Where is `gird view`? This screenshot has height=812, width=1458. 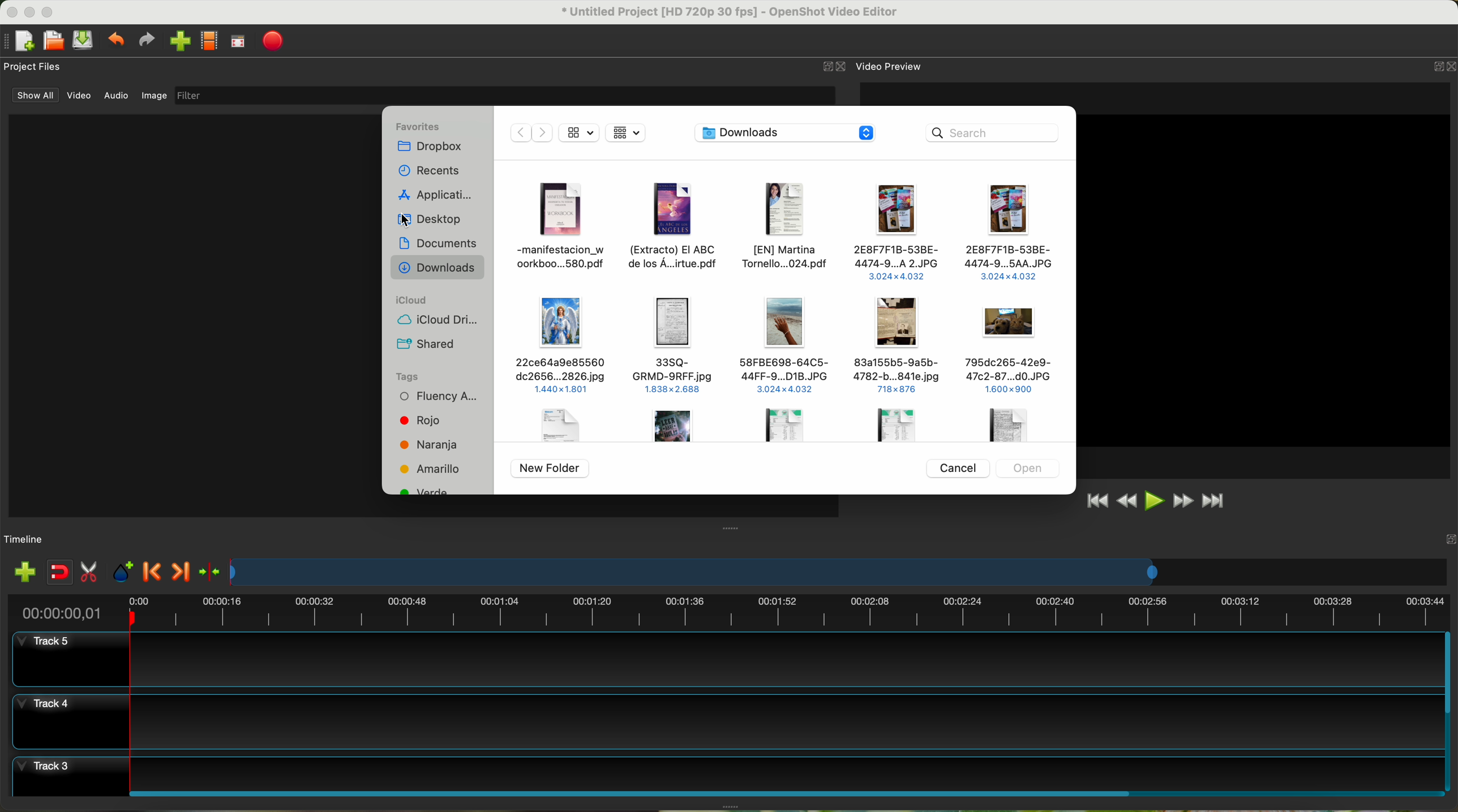 gird view is located at coordinates (580, 131).